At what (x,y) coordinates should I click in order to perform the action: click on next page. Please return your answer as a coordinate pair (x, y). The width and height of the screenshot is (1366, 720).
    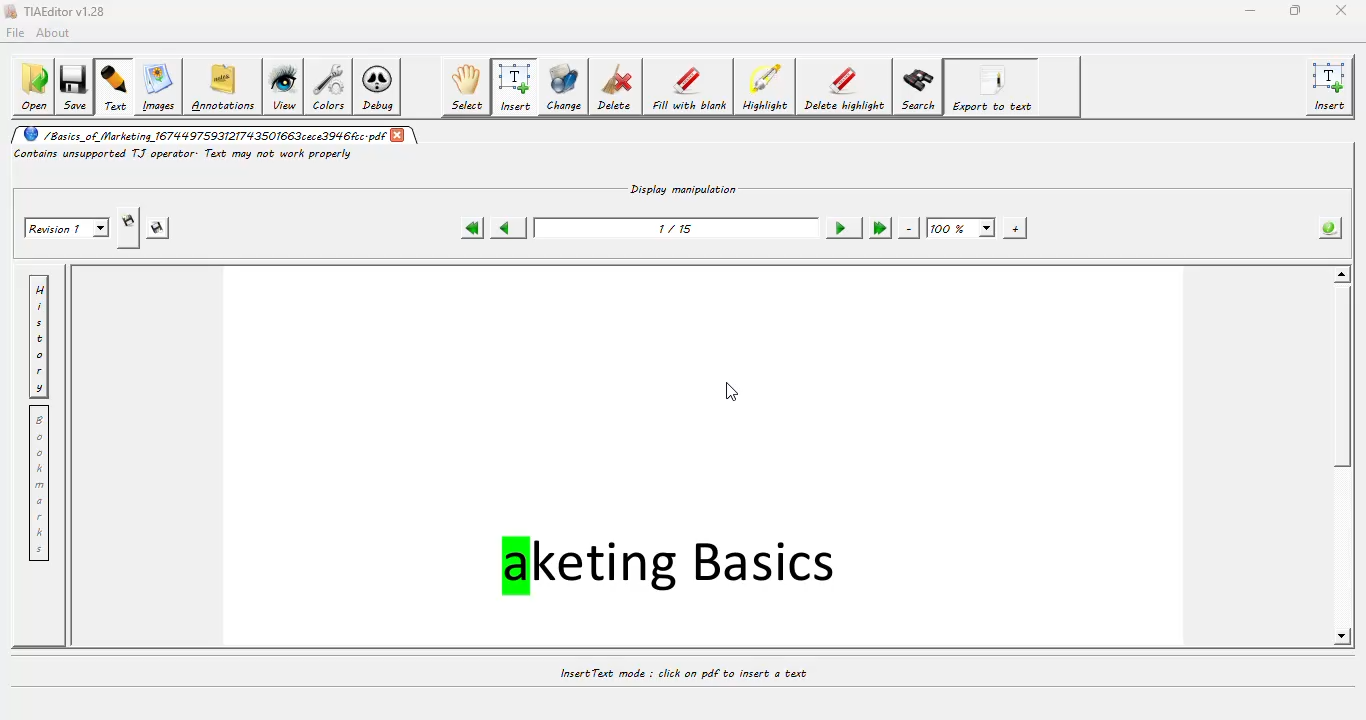
    Looking at the image, I should click on (838, 227).